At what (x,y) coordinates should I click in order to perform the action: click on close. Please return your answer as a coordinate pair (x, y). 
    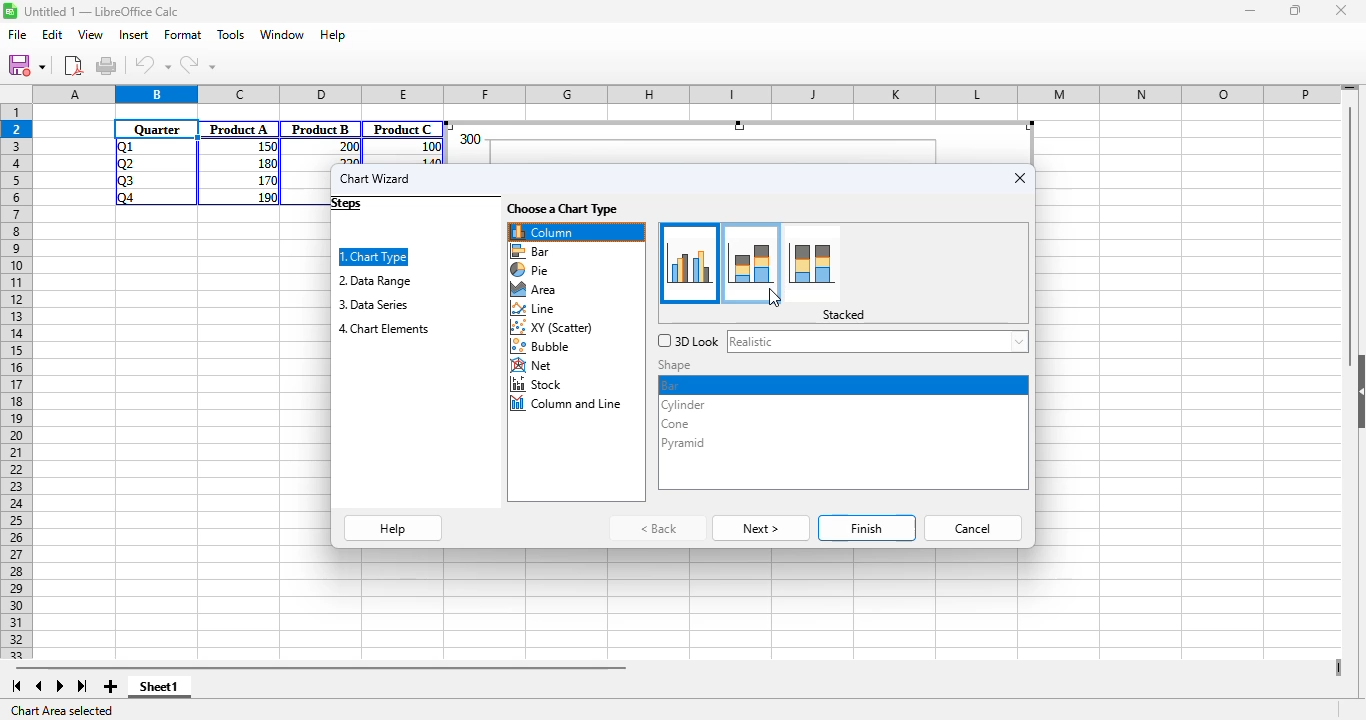
    Looking at the image, I should click on (1020, 178).